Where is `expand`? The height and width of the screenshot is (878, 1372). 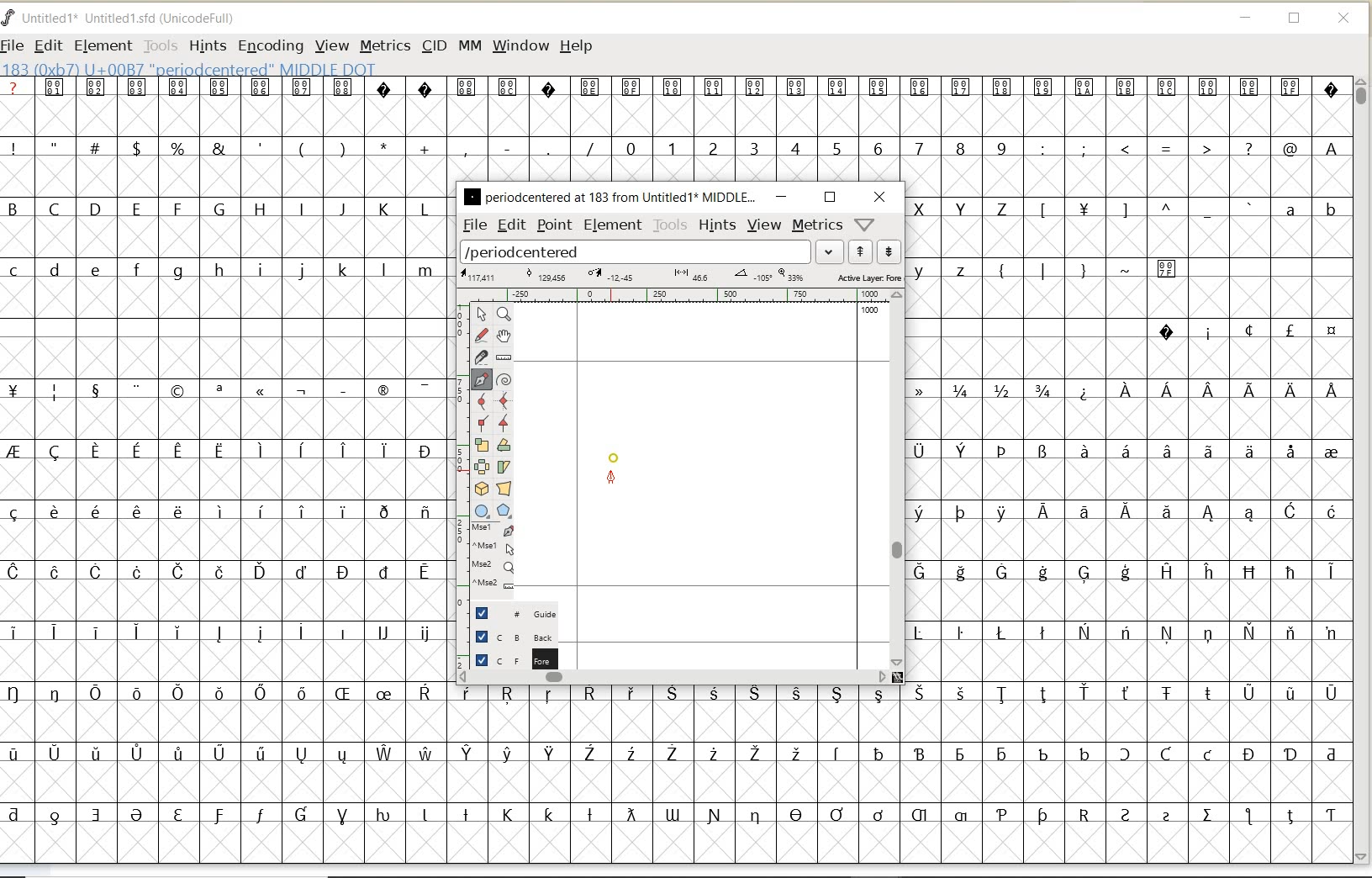
expand is located at coordinates (830, 251).